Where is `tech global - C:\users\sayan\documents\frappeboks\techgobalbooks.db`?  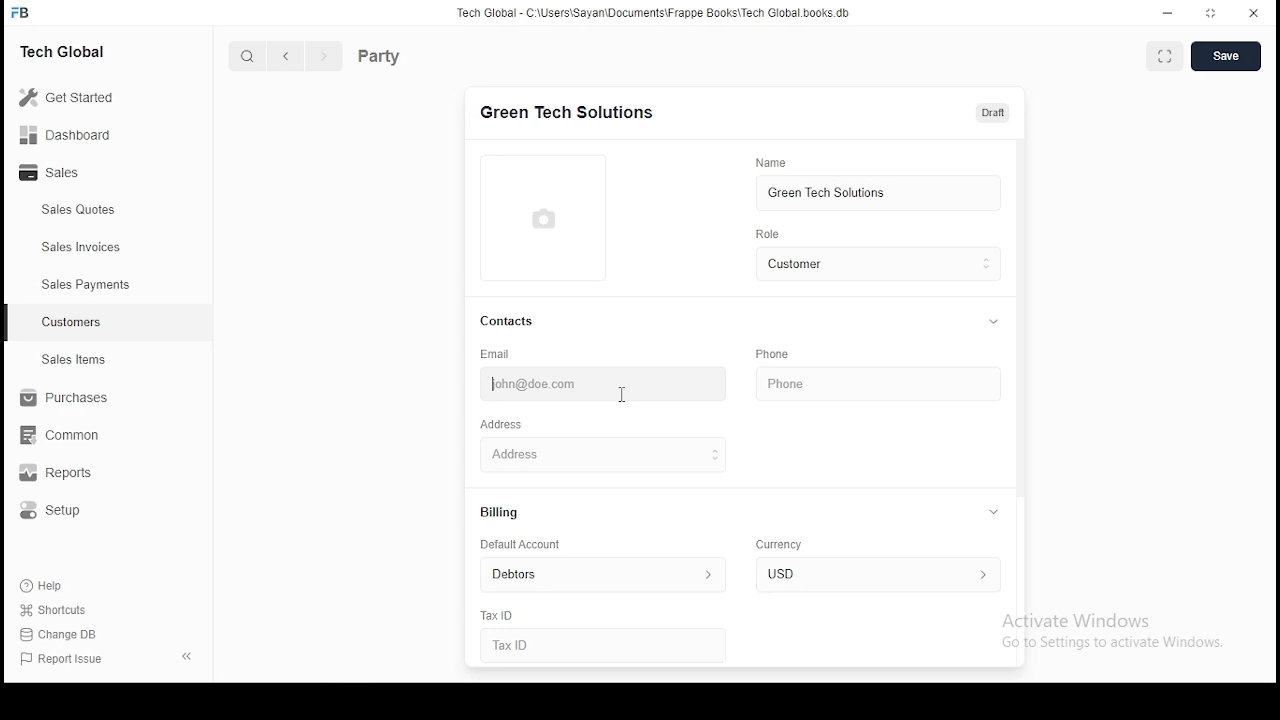
tech global - C:\users\sayan\documents\frappeboks\techgobalbooks.db is located at coordinates (655, 13).